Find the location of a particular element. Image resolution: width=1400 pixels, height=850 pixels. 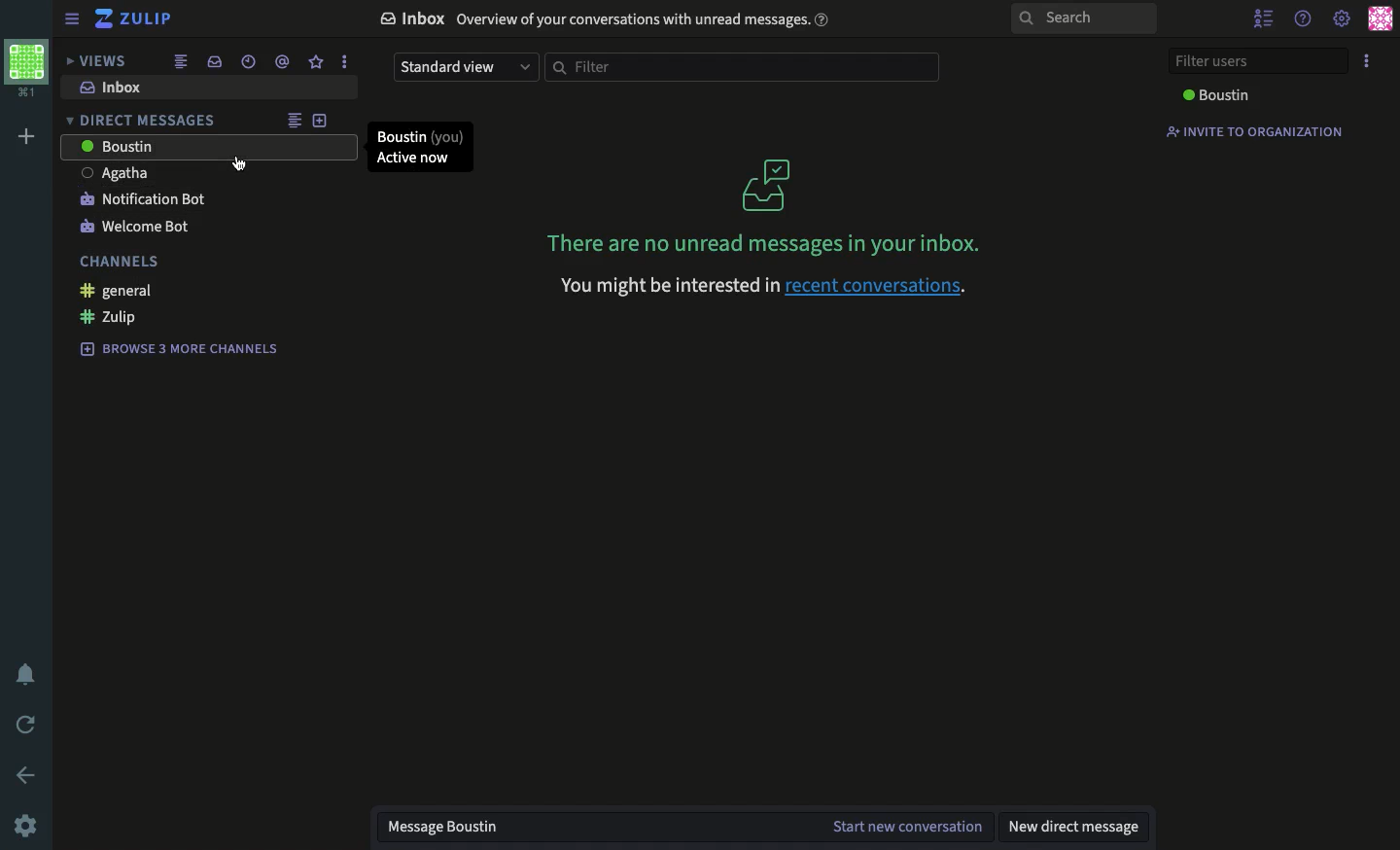

you might be interested in is located at coordinates (668, 289).